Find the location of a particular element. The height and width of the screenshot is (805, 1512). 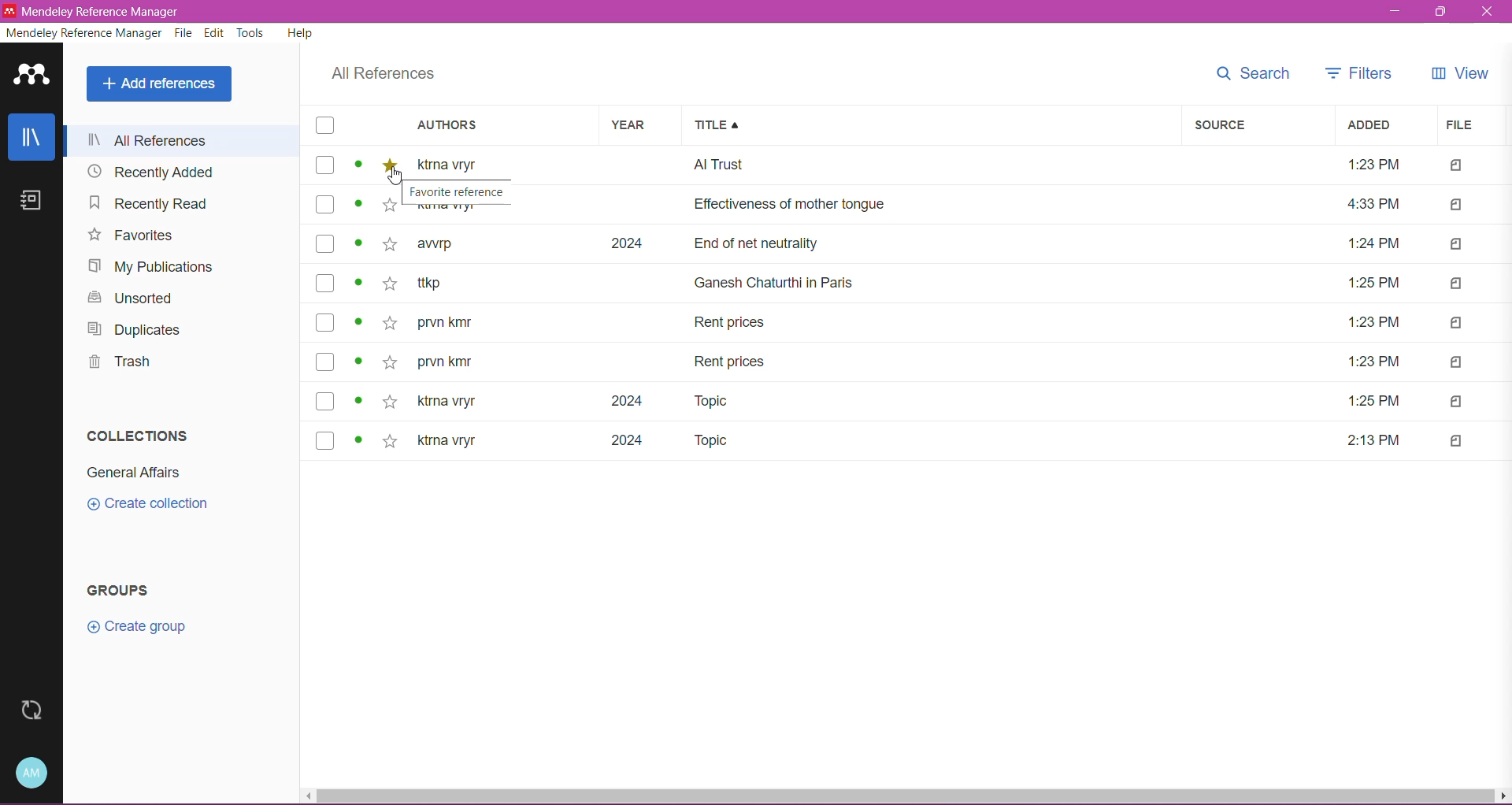

Duplicates is located at coordinates (132, 332).